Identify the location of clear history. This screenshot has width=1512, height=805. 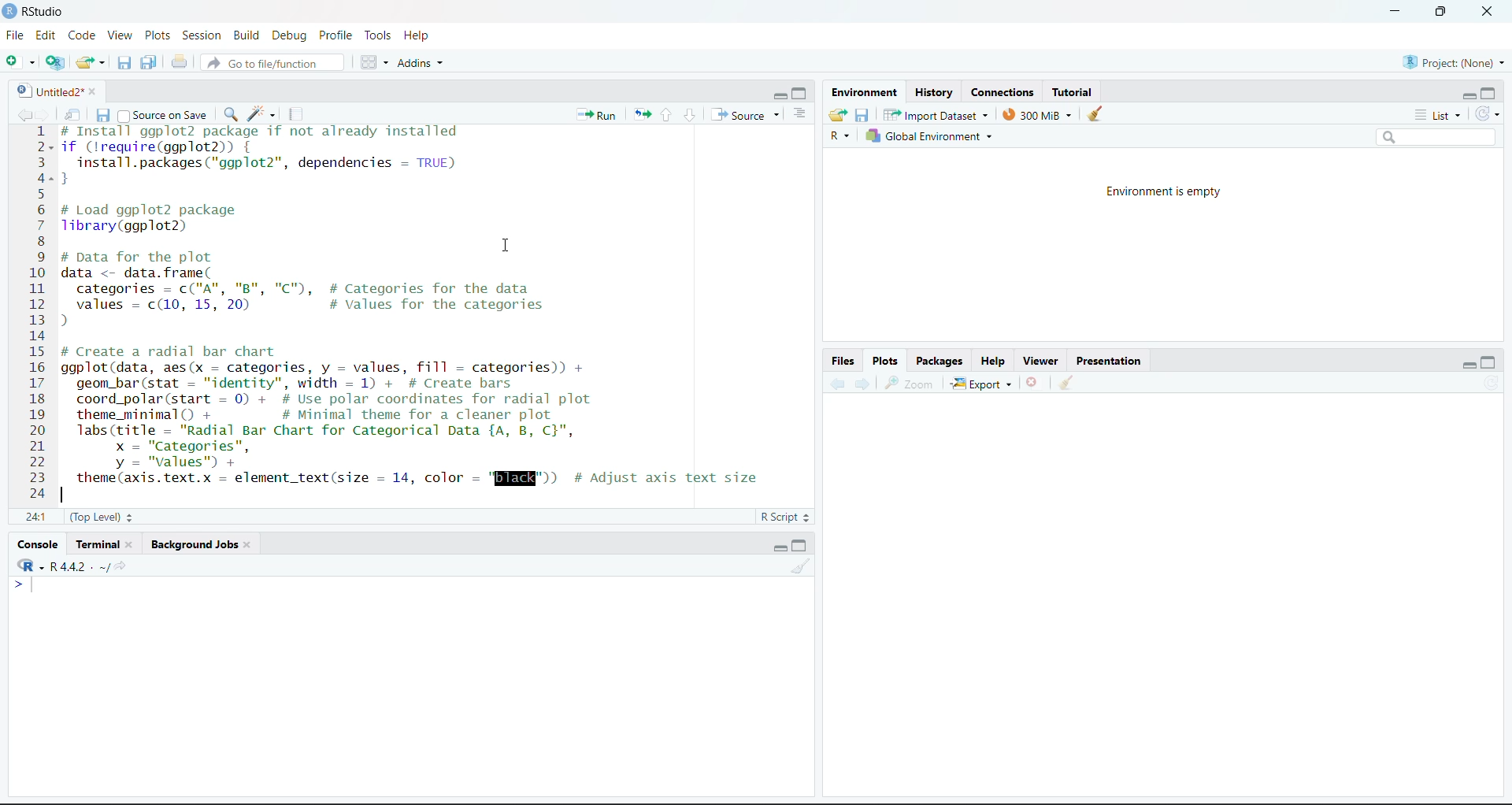
(1100, 114).